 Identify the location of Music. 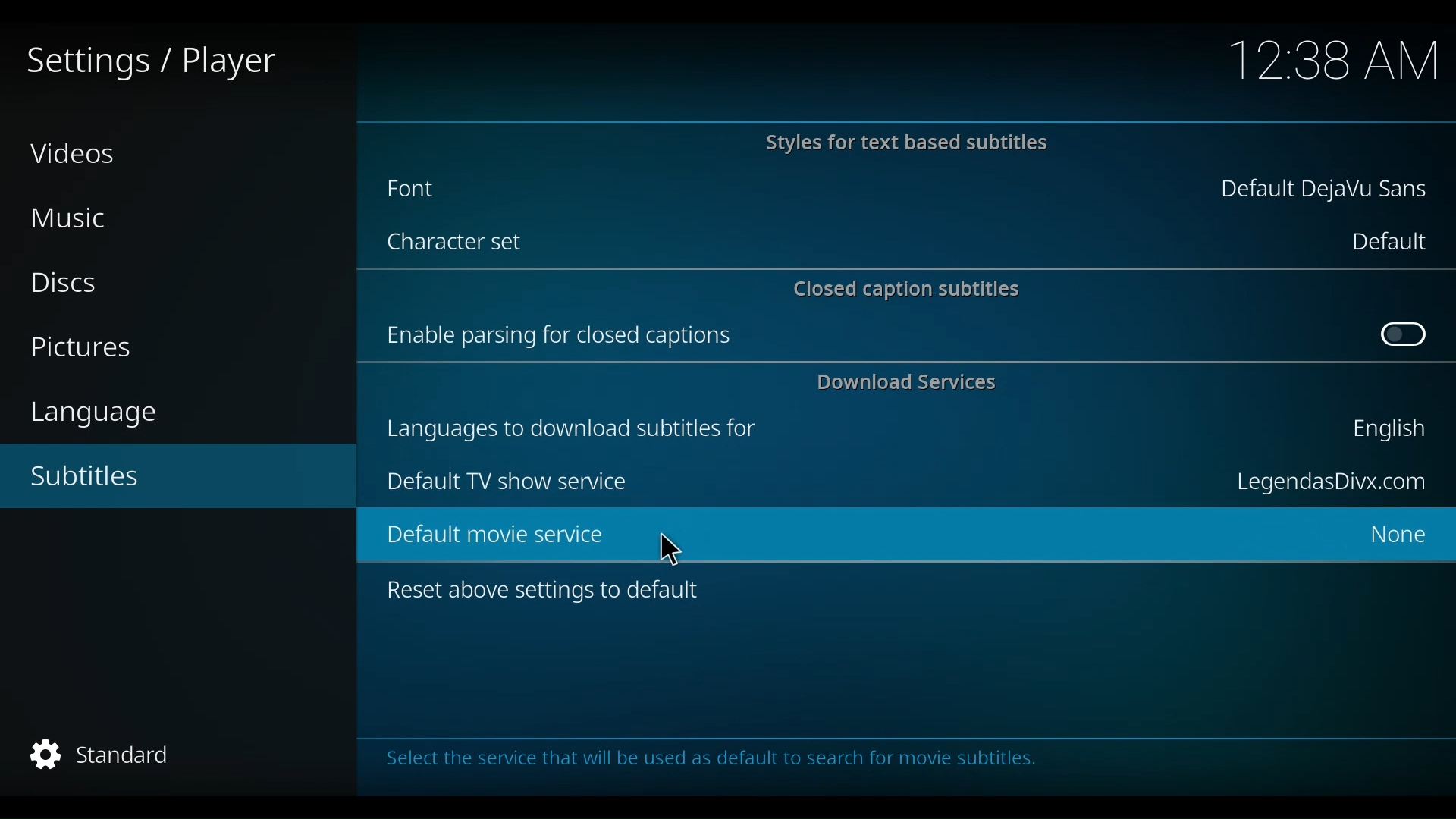
(76, 219).